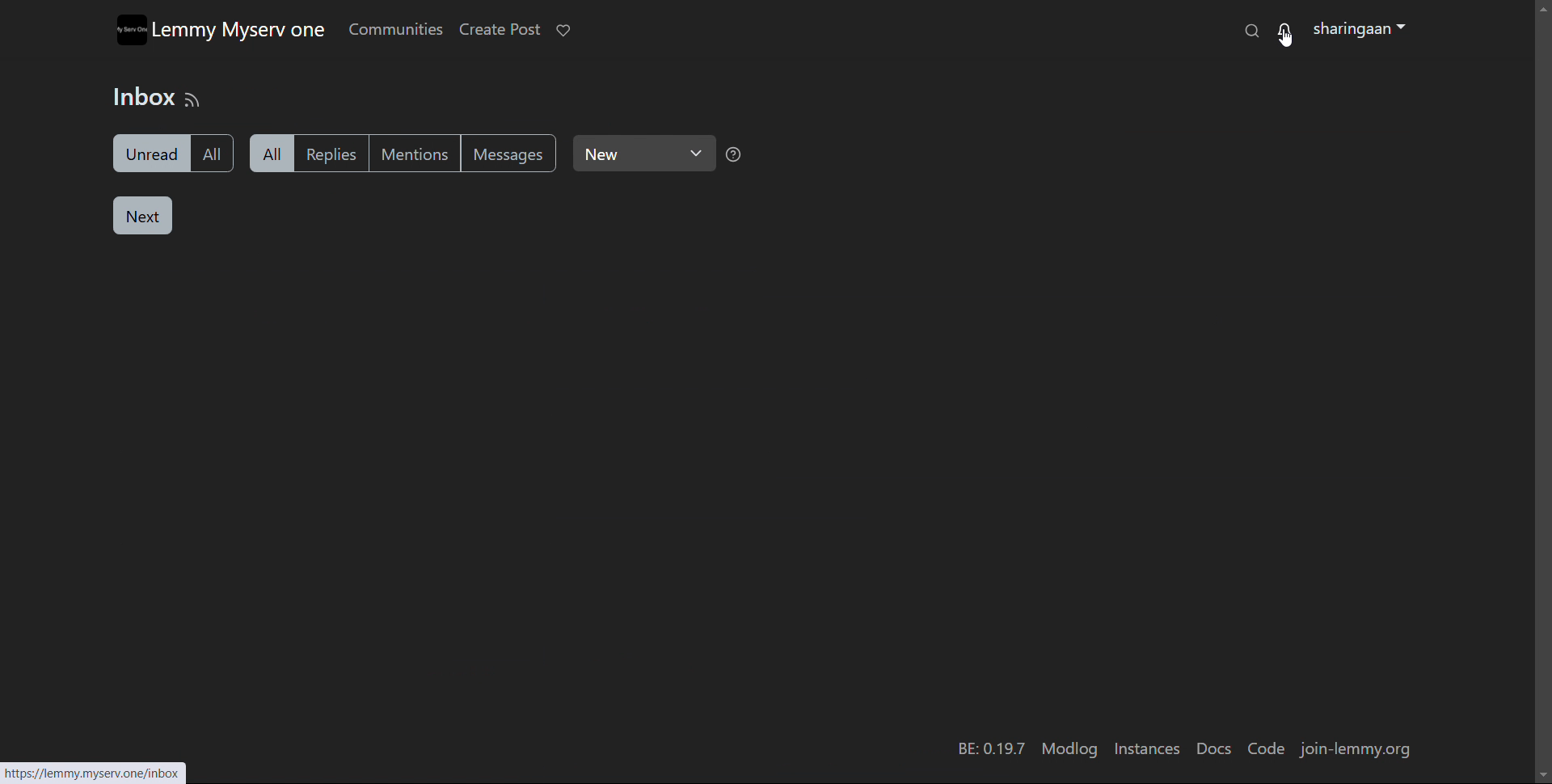 The image size is (1552, 784). I want to click on notification, so click(1287, 31).